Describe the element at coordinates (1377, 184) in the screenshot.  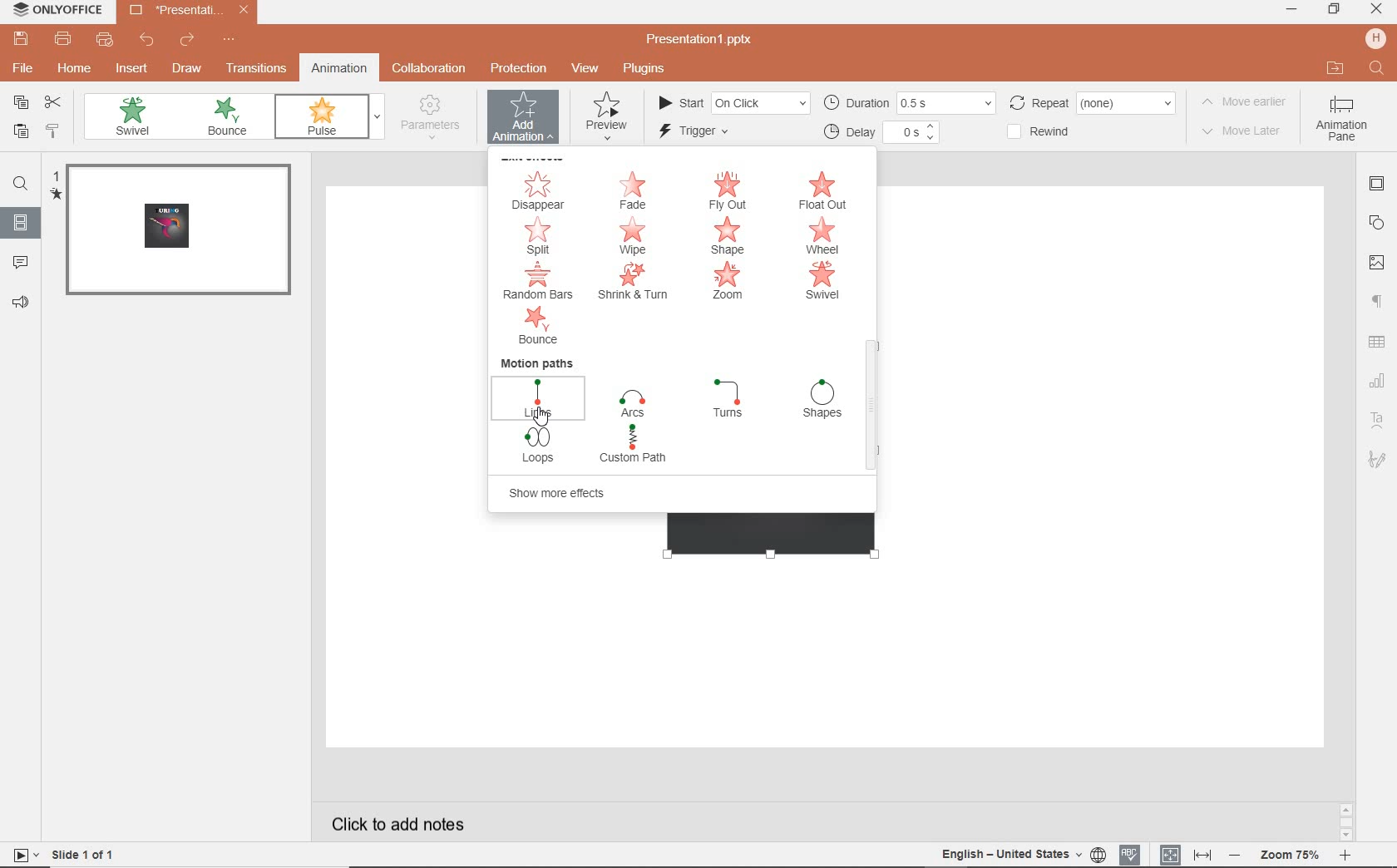
I see `slide settings` at that location.